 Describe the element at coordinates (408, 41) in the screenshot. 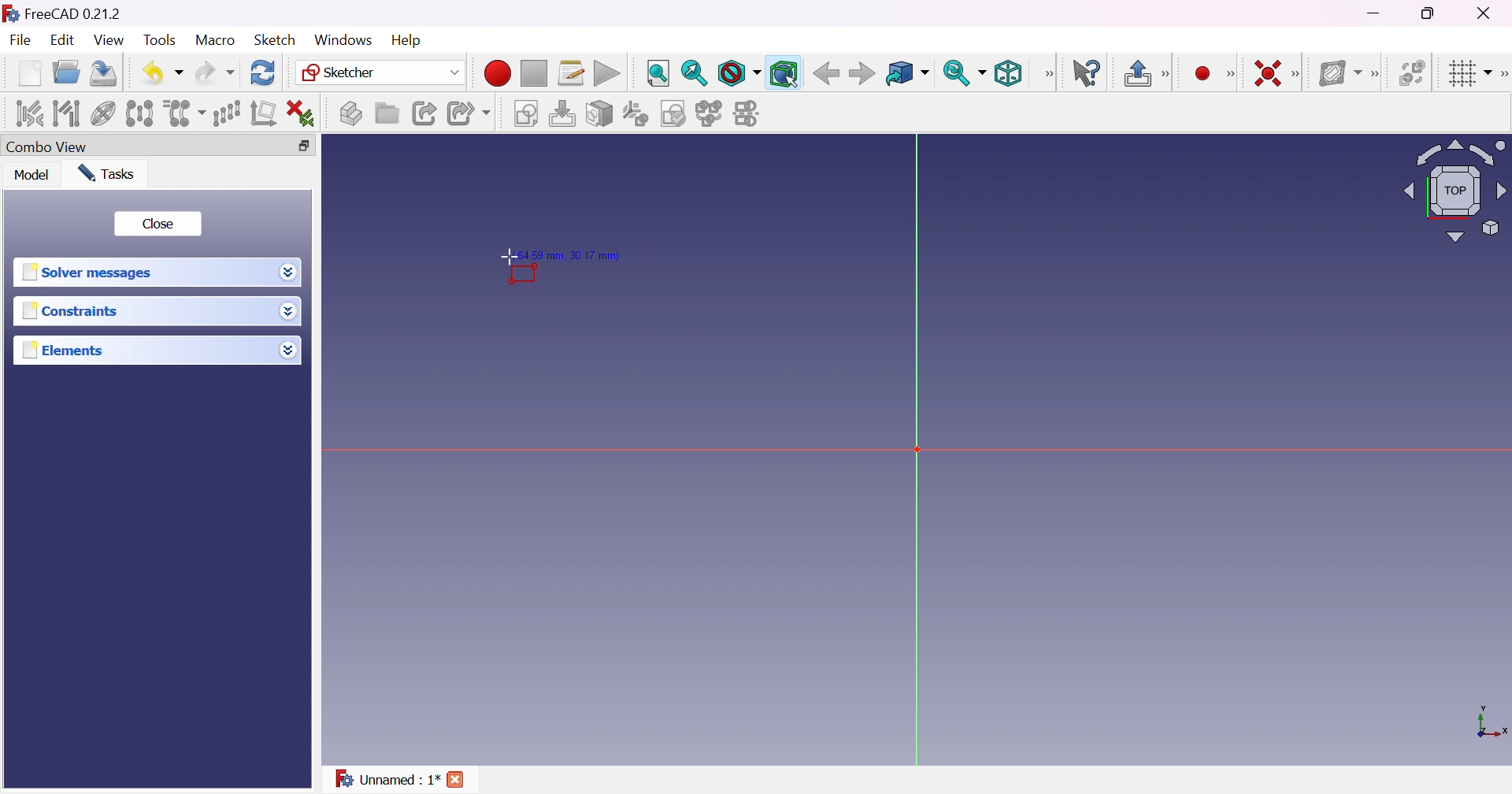

I see `Help` at that location.